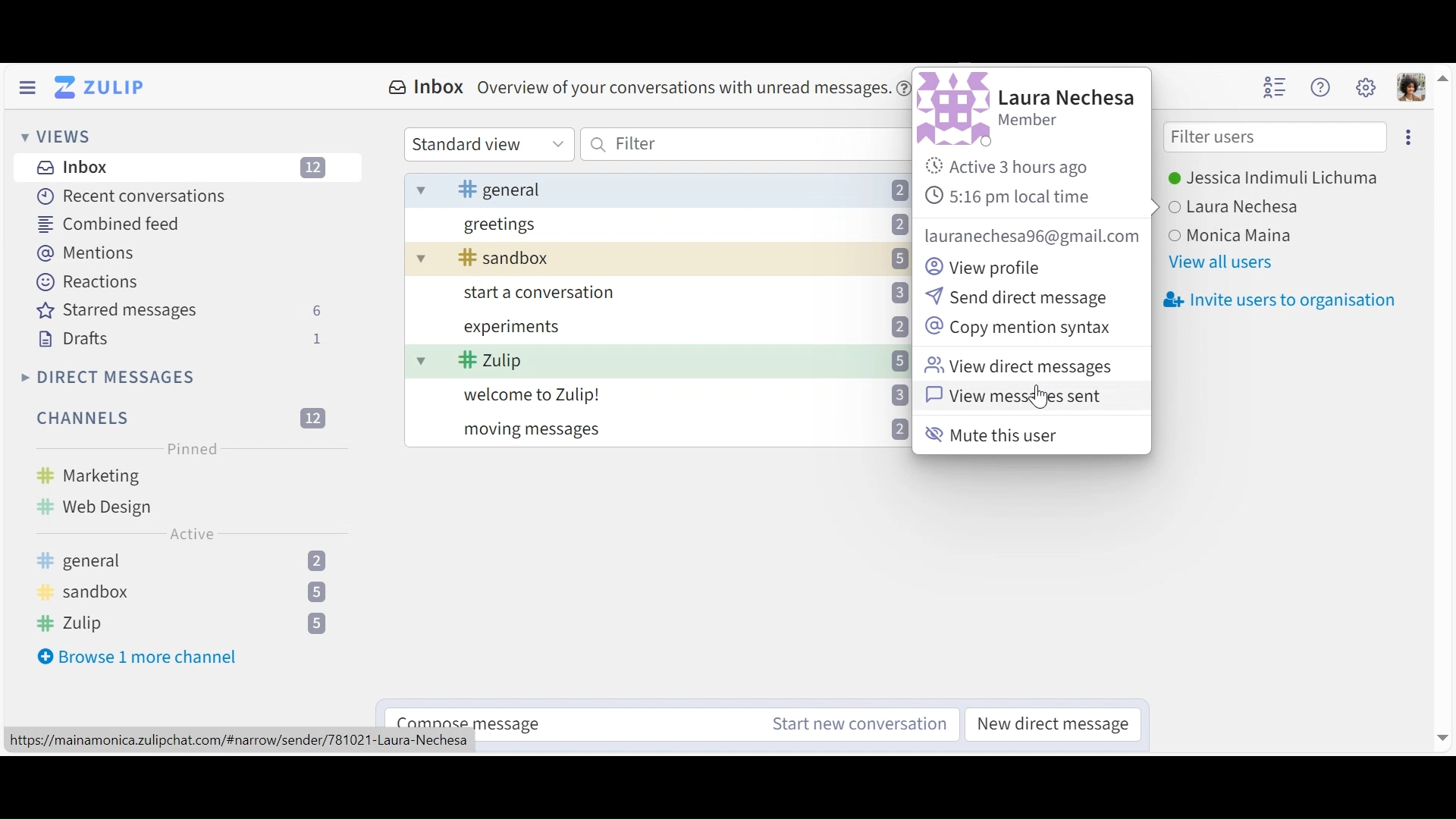 The height and width of the screenshot is (819, 1456). What do you see at coordinates (25, 86) in the screenshot?
I see `Hide Left Sidebar` at bounding box center [25, 86].